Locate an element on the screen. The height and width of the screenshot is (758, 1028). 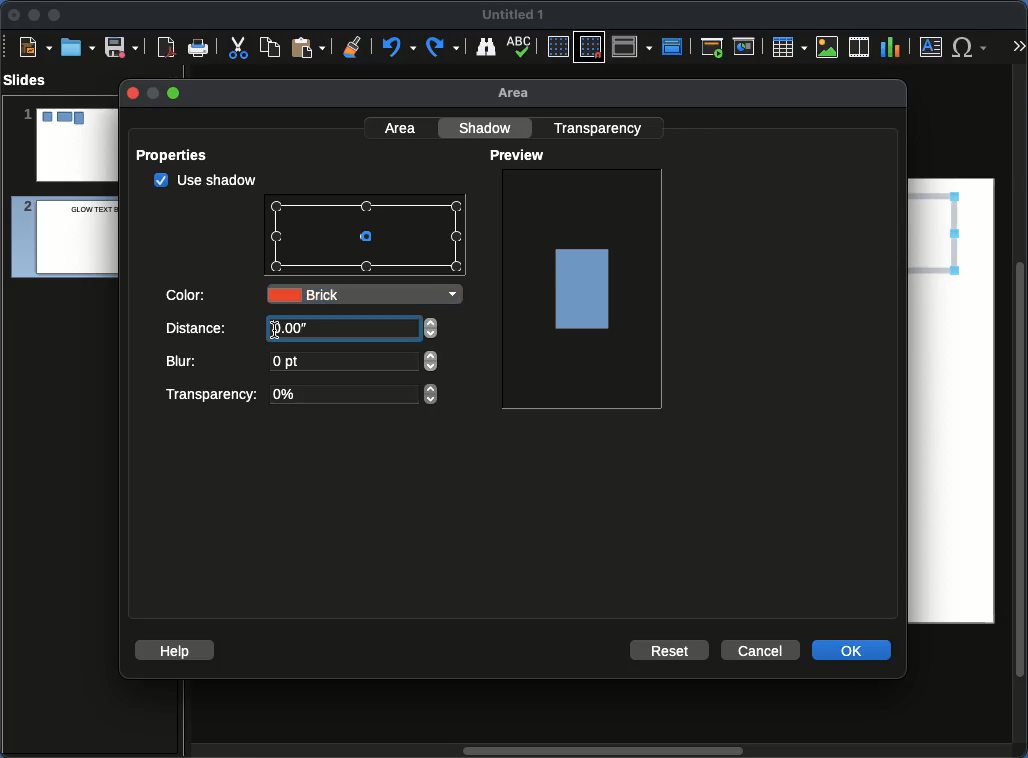
adjust is located at coordinates (431, 329).